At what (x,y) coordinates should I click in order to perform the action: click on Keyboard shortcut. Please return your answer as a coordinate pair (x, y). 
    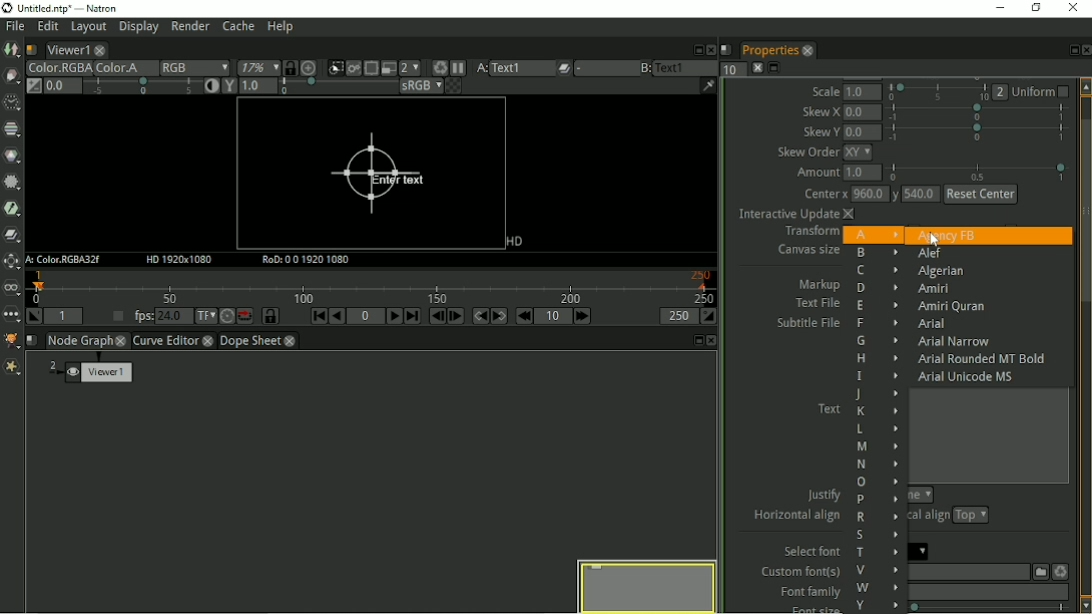
    Looking at the image, I should click on (437, 67).